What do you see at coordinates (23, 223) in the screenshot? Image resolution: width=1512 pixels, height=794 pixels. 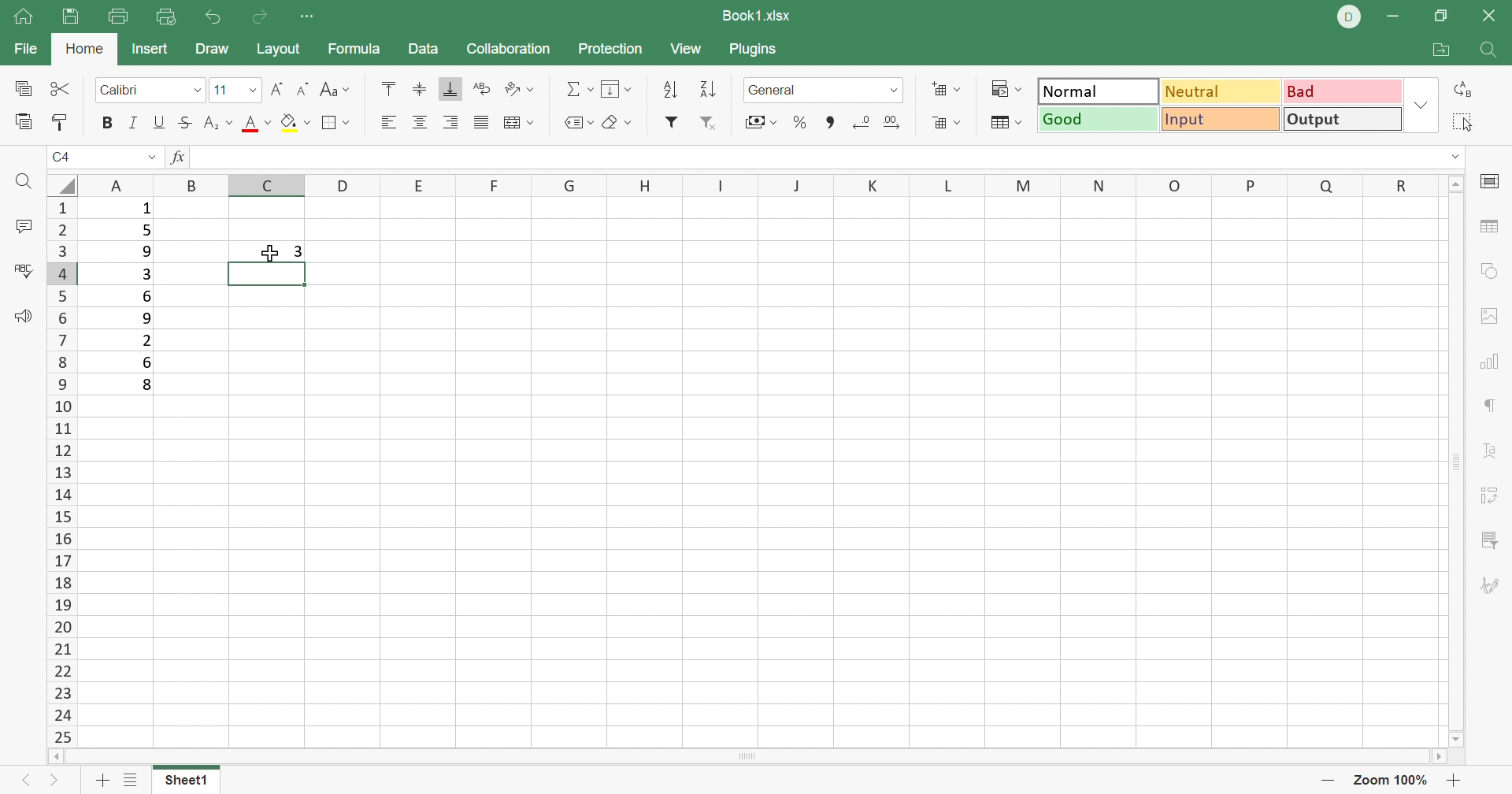 I see `Comments` at bounding box center [23, 223].